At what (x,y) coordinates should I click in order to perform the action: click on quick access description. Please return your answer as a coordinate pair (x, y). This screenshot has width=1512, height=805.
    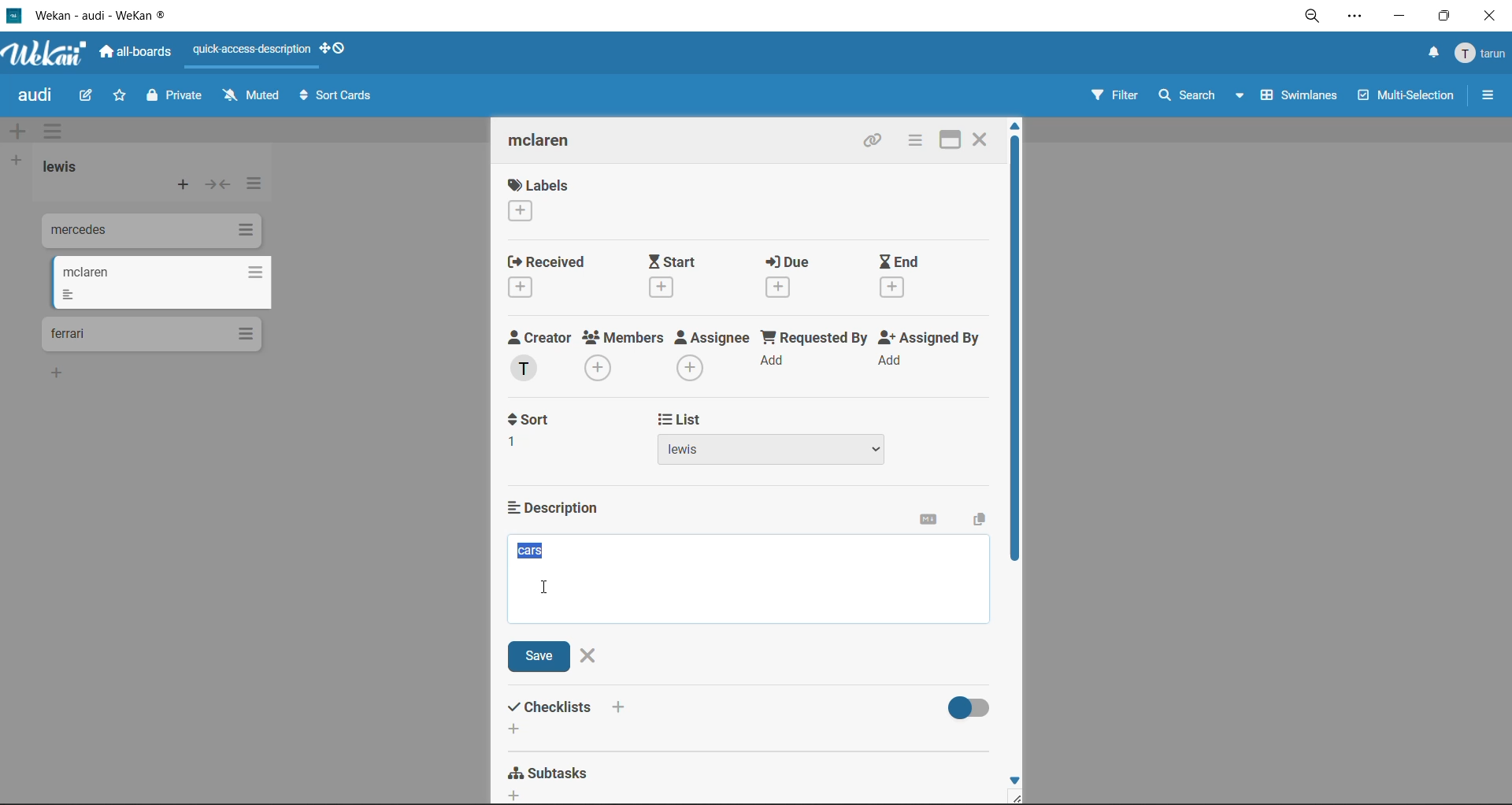
    Looking at the image, I should click on (253, 50).